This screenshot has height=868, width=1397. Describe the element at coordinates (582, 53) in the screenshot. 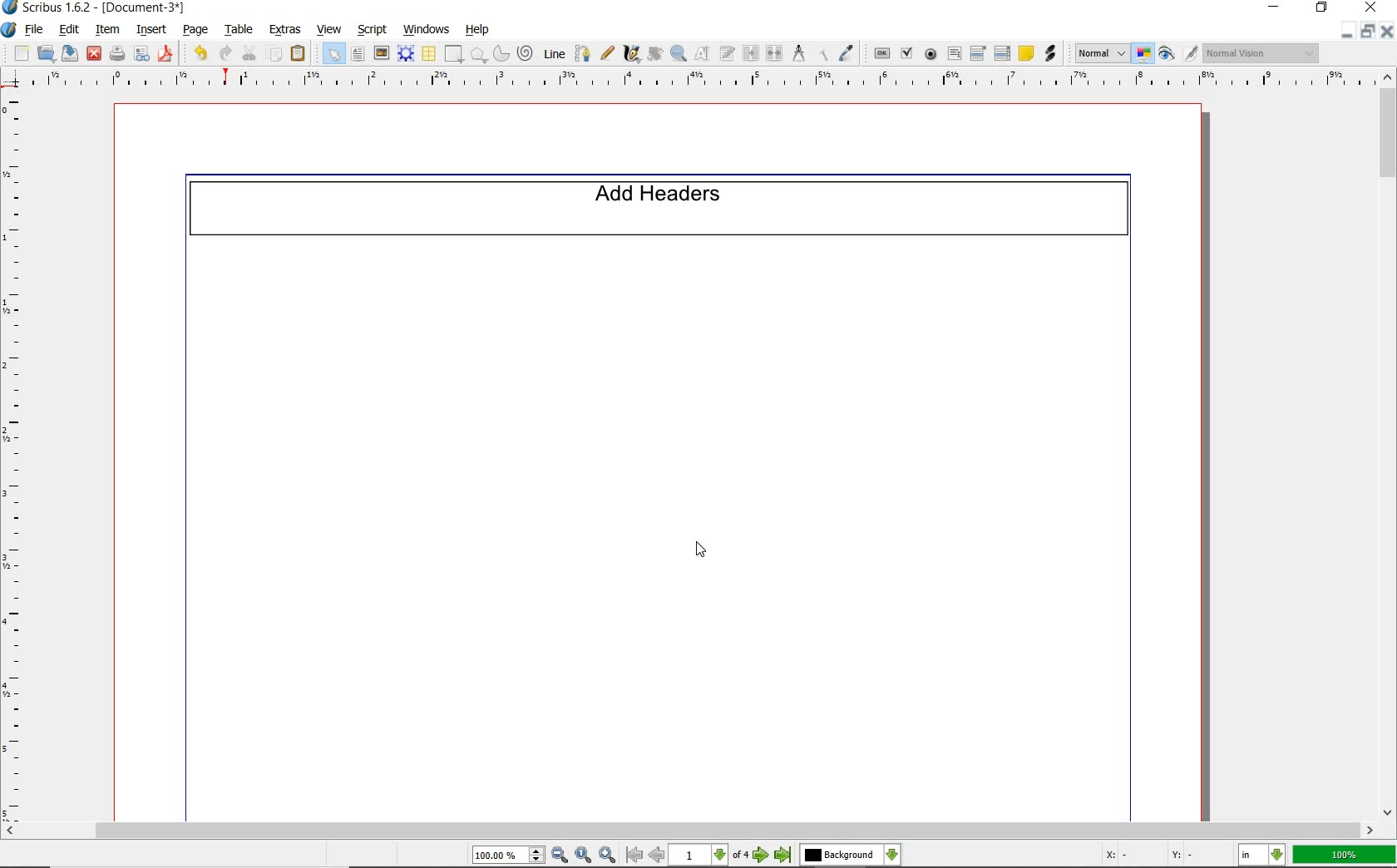

I see `Bezier curve` at that location.